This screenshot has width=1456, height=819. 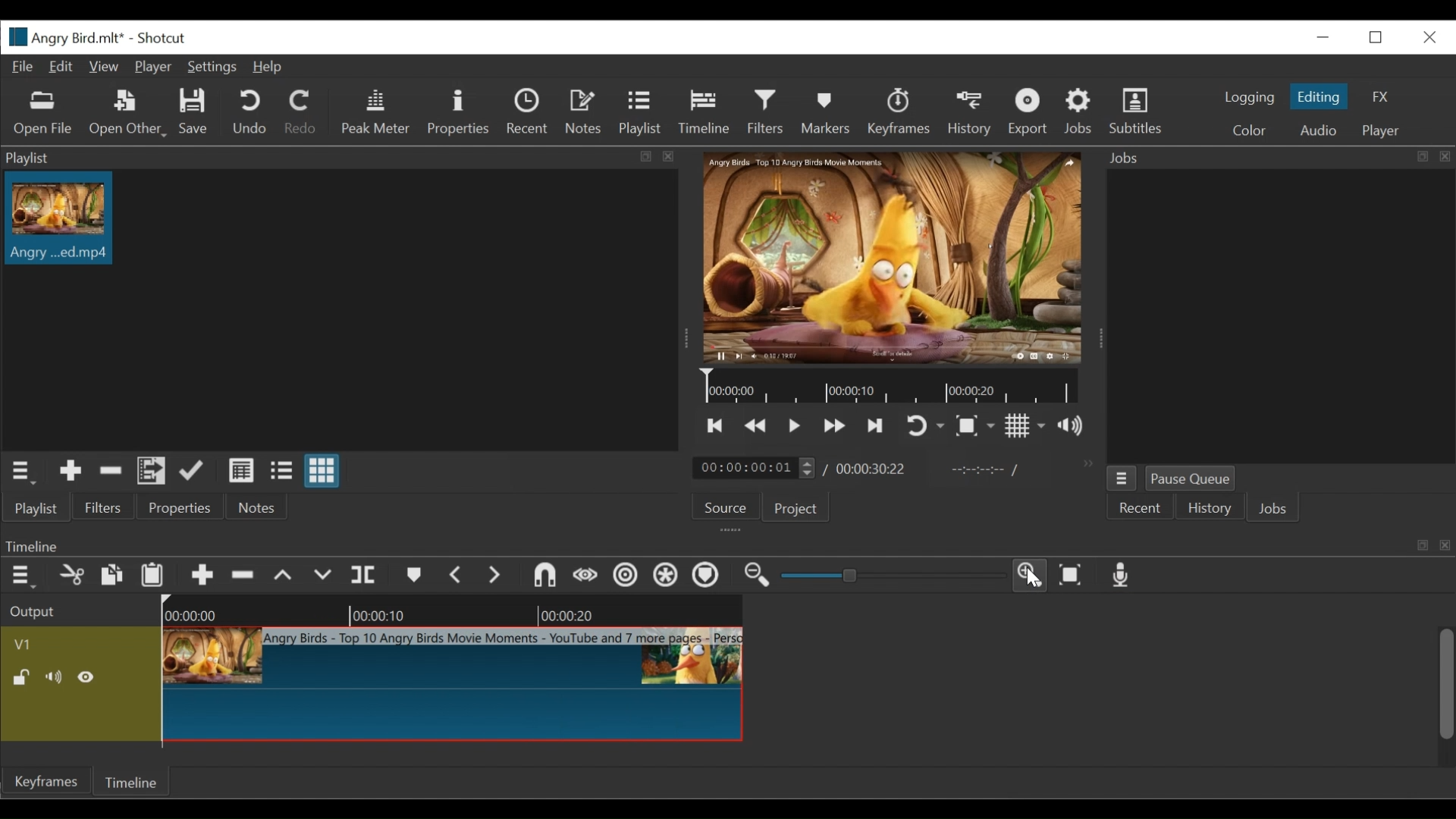 I want to click on minimize, so click(x=1323, y=37).